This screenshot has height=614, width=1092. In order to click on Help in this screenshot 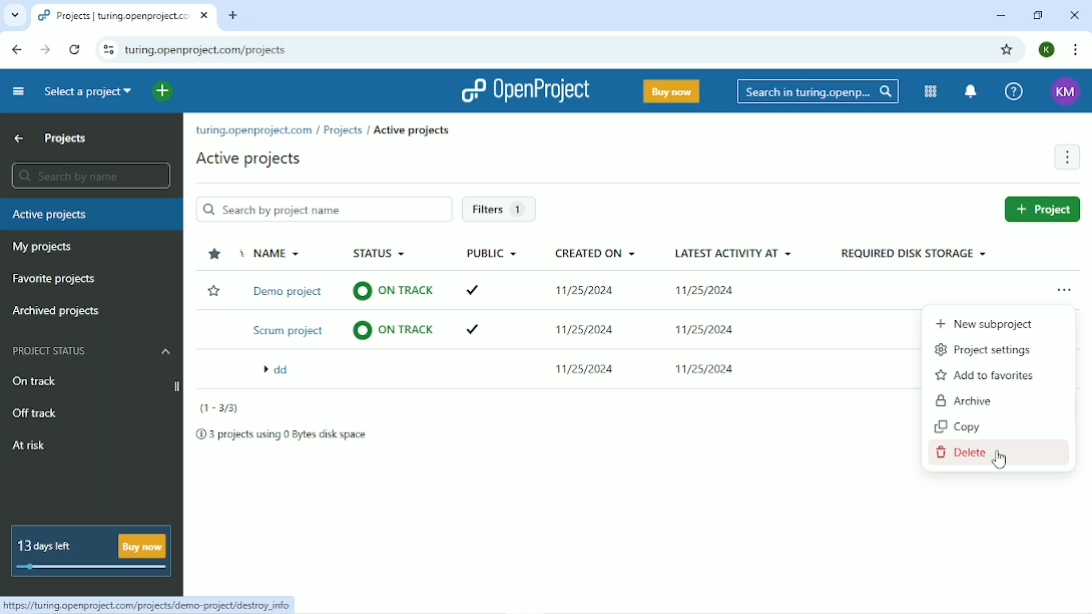, I will do `click(1013, 92)`.